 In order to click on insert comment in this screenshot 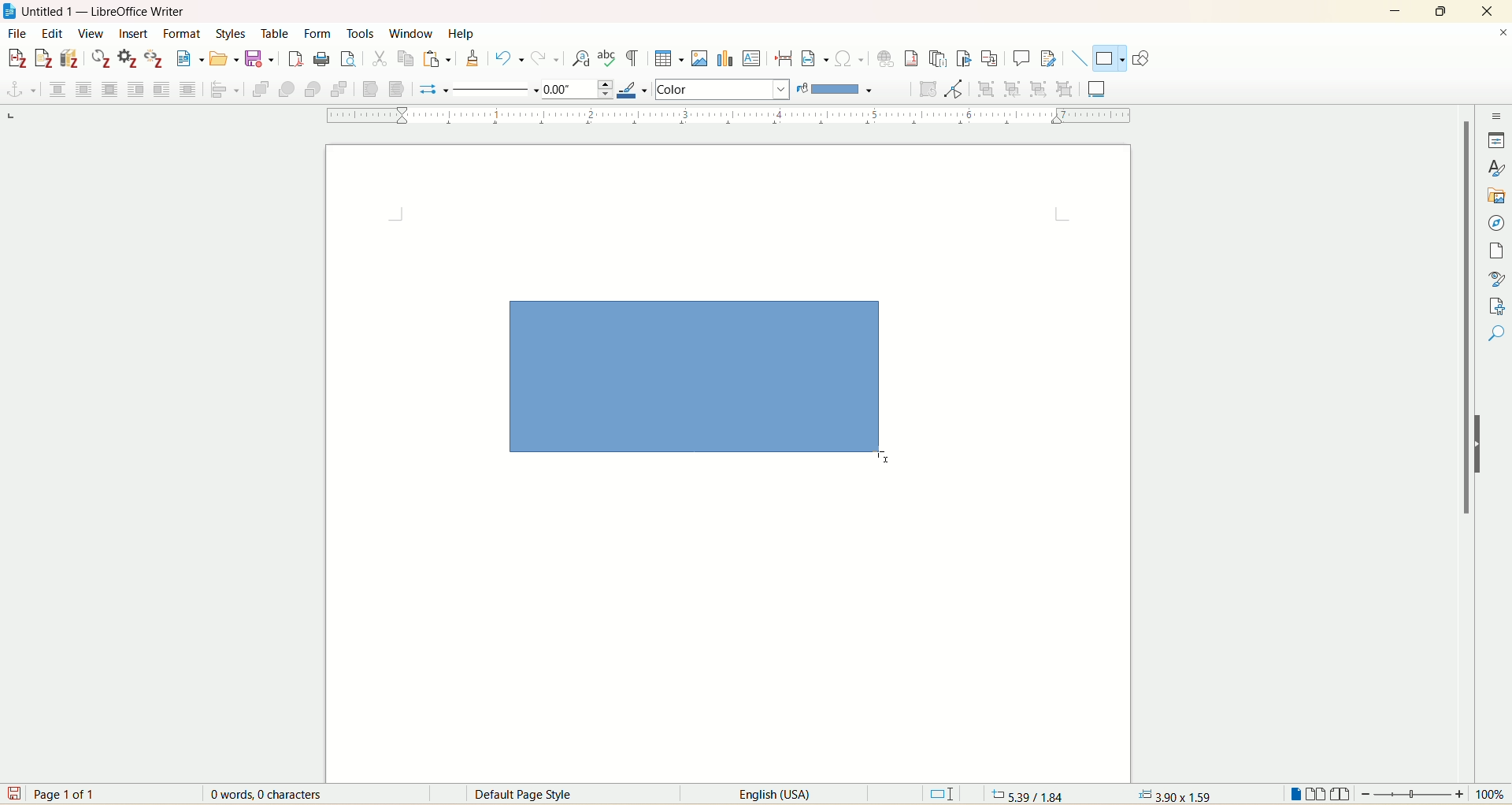, I will do `click(1024, 58)`.